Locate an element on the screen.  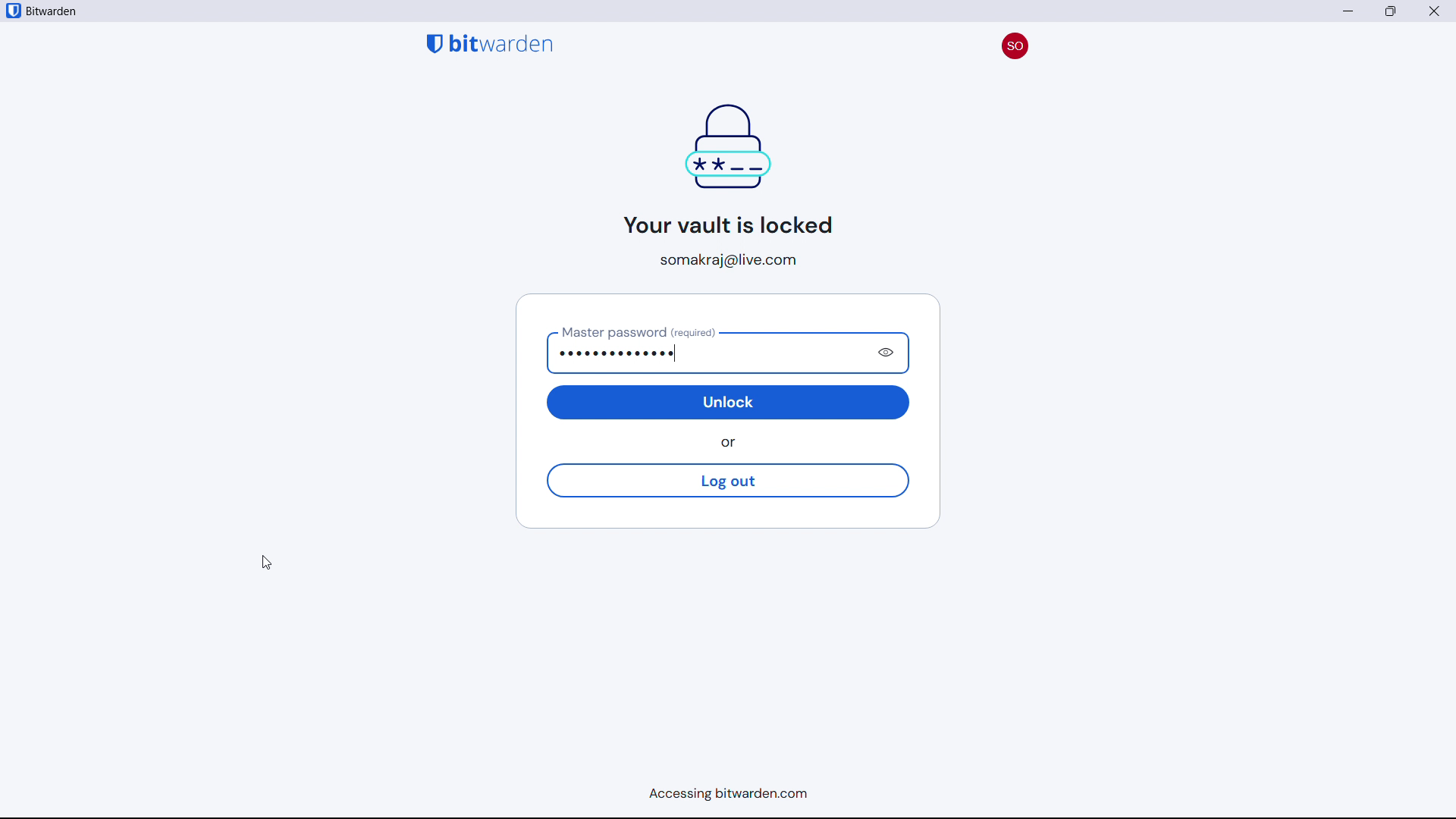
logged in account "SO" is located at coordinates (1014, 42).